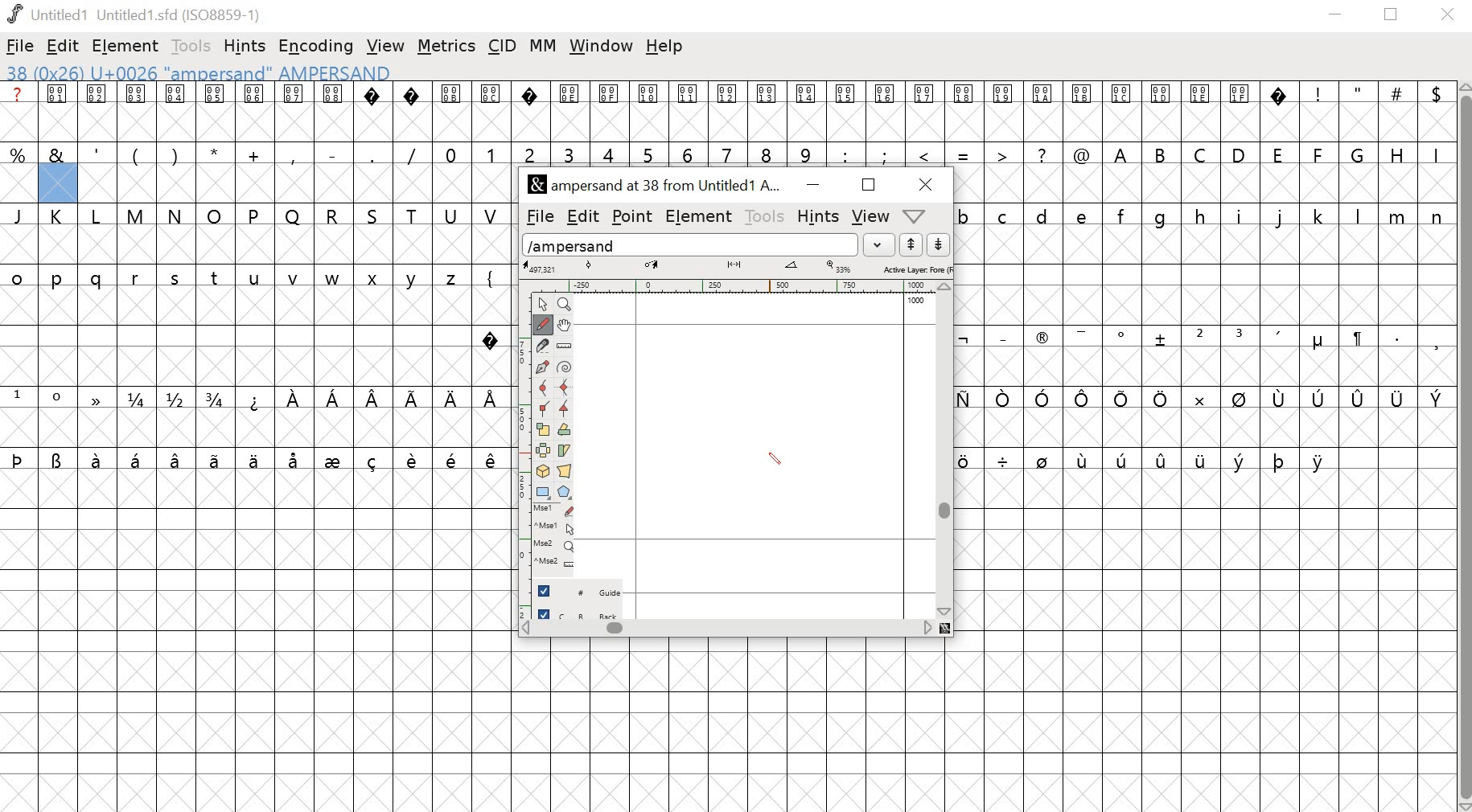  I want to click on 1, so click(19, 396).